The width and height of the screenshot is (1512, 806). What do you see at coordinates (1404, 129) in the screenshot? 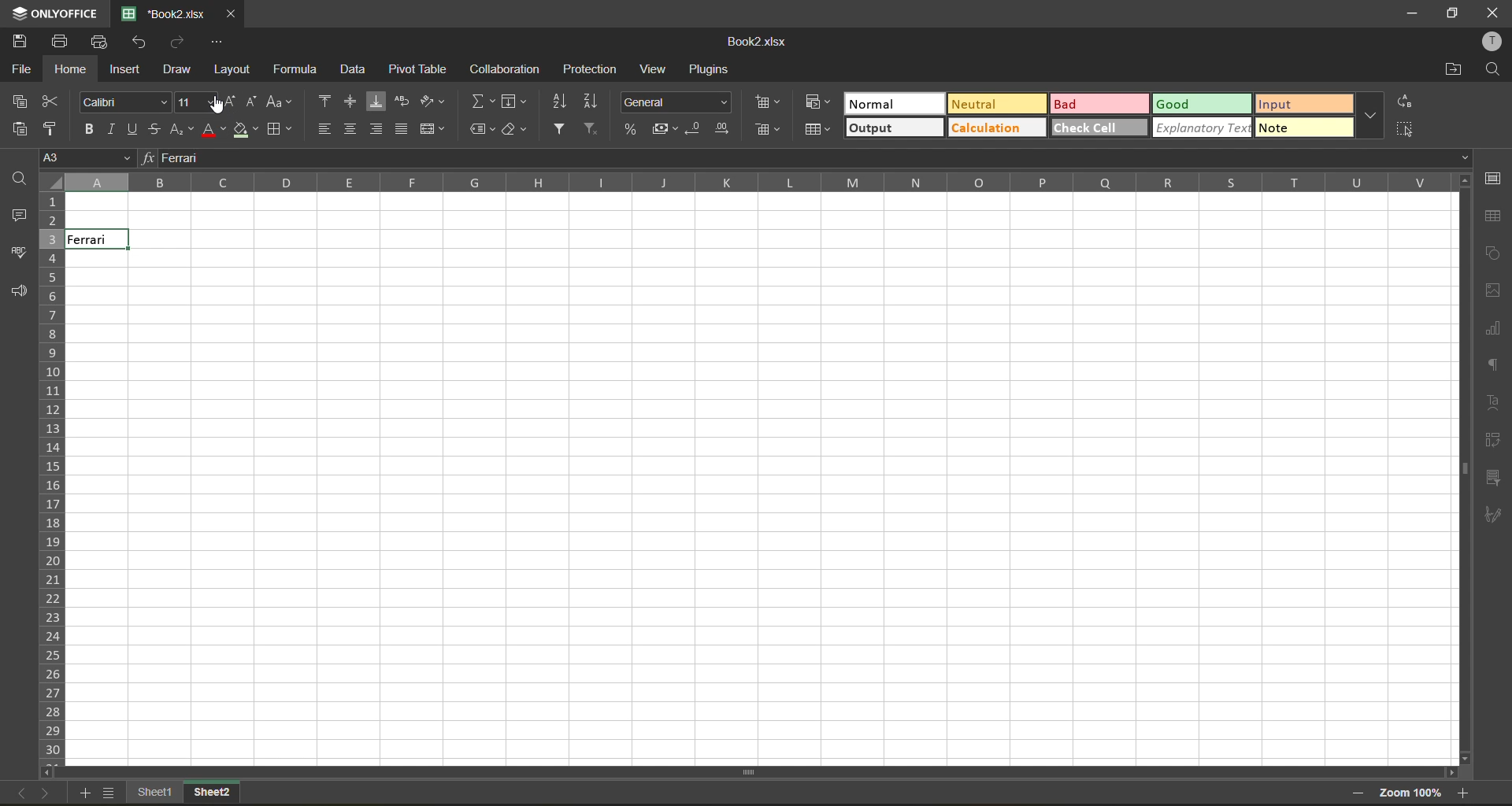
I see `select all` at bounding box center [1404, 129].